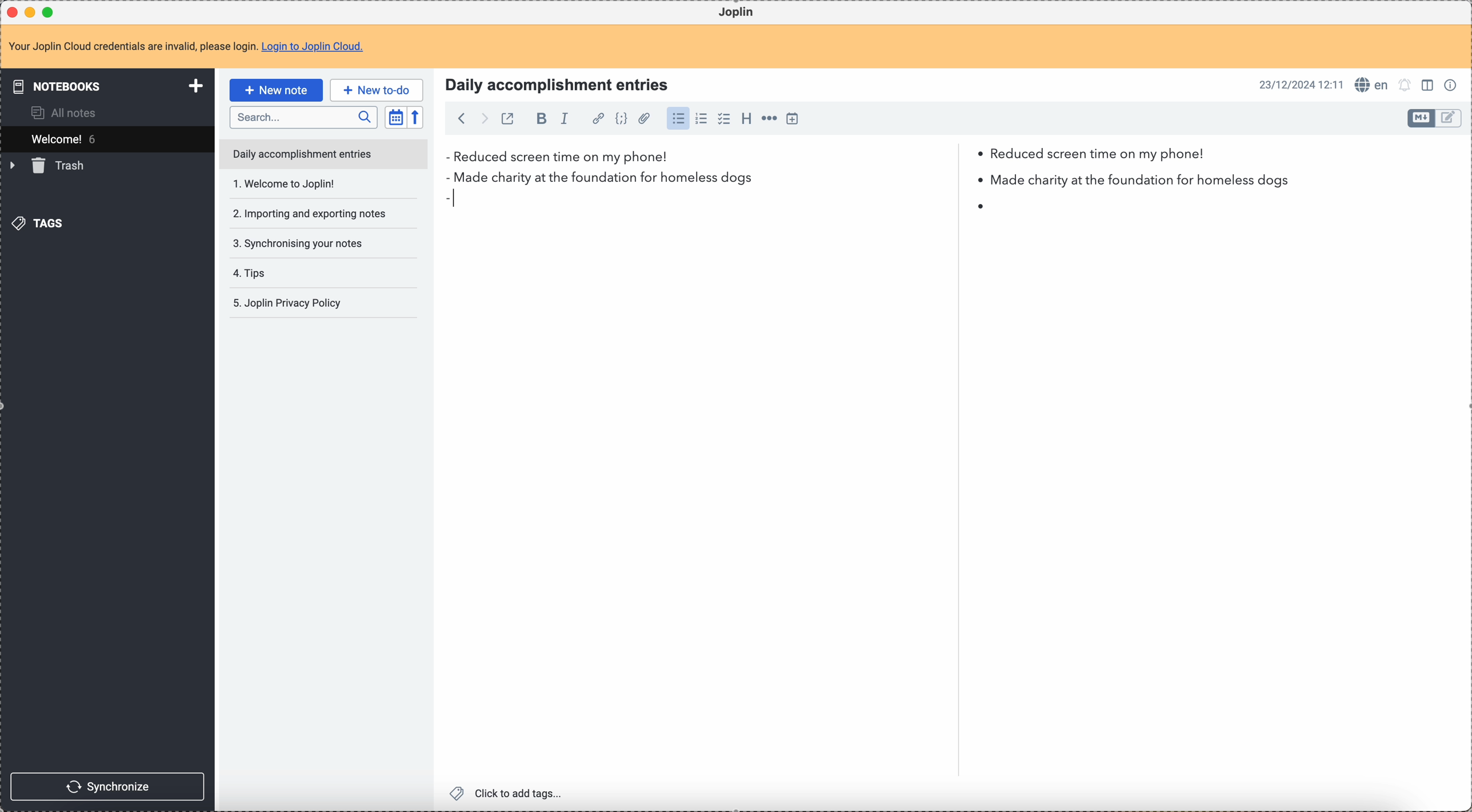 The image size is (1472, 812). What do you see at coordinates (508, 118) in the screenshot?
I see `toggle external editing` at bounding box center [508, 118].